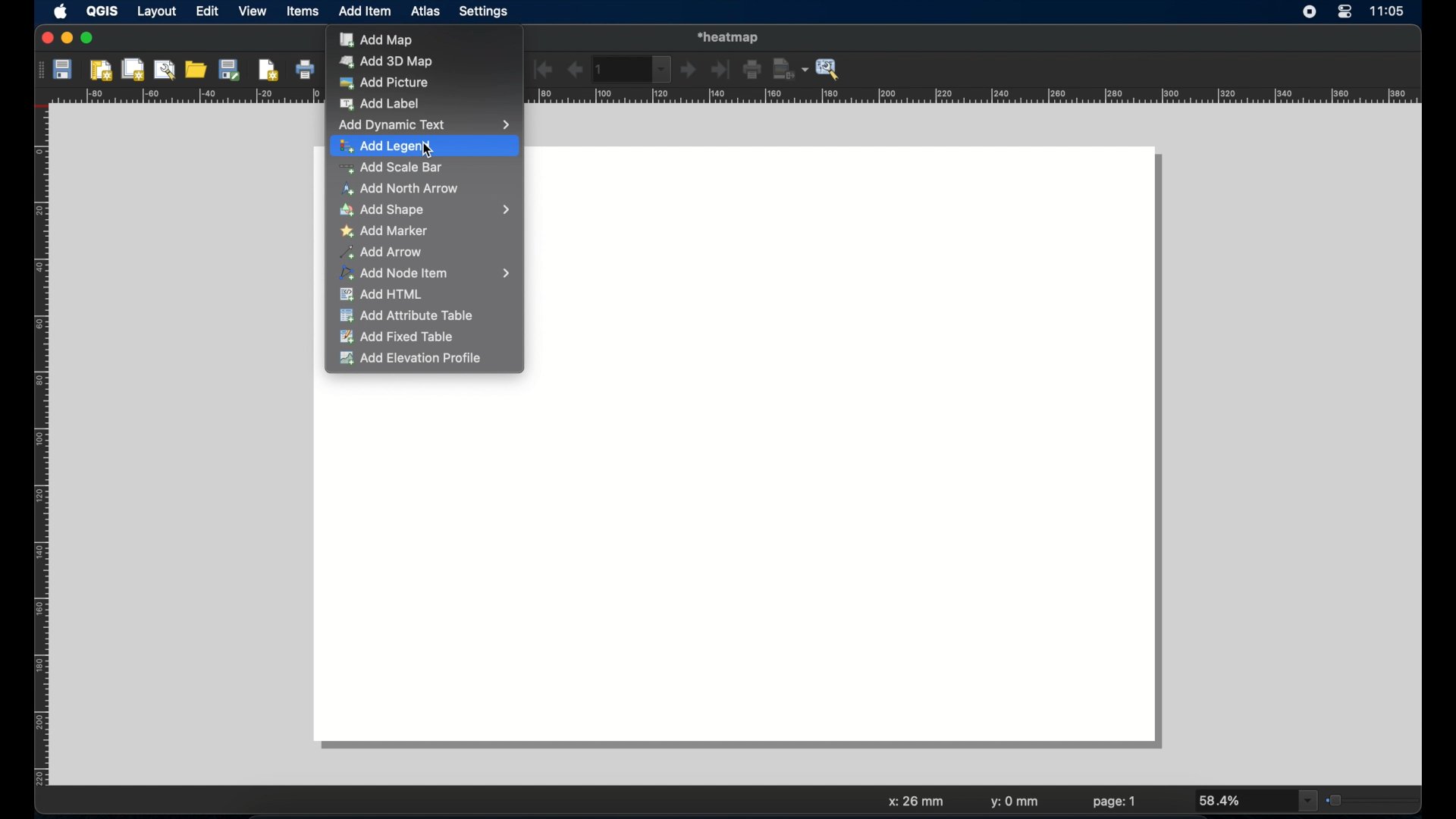 This screenshot has height=819, width=1456. I want to click on y: 0mm, so click(1015, 803).